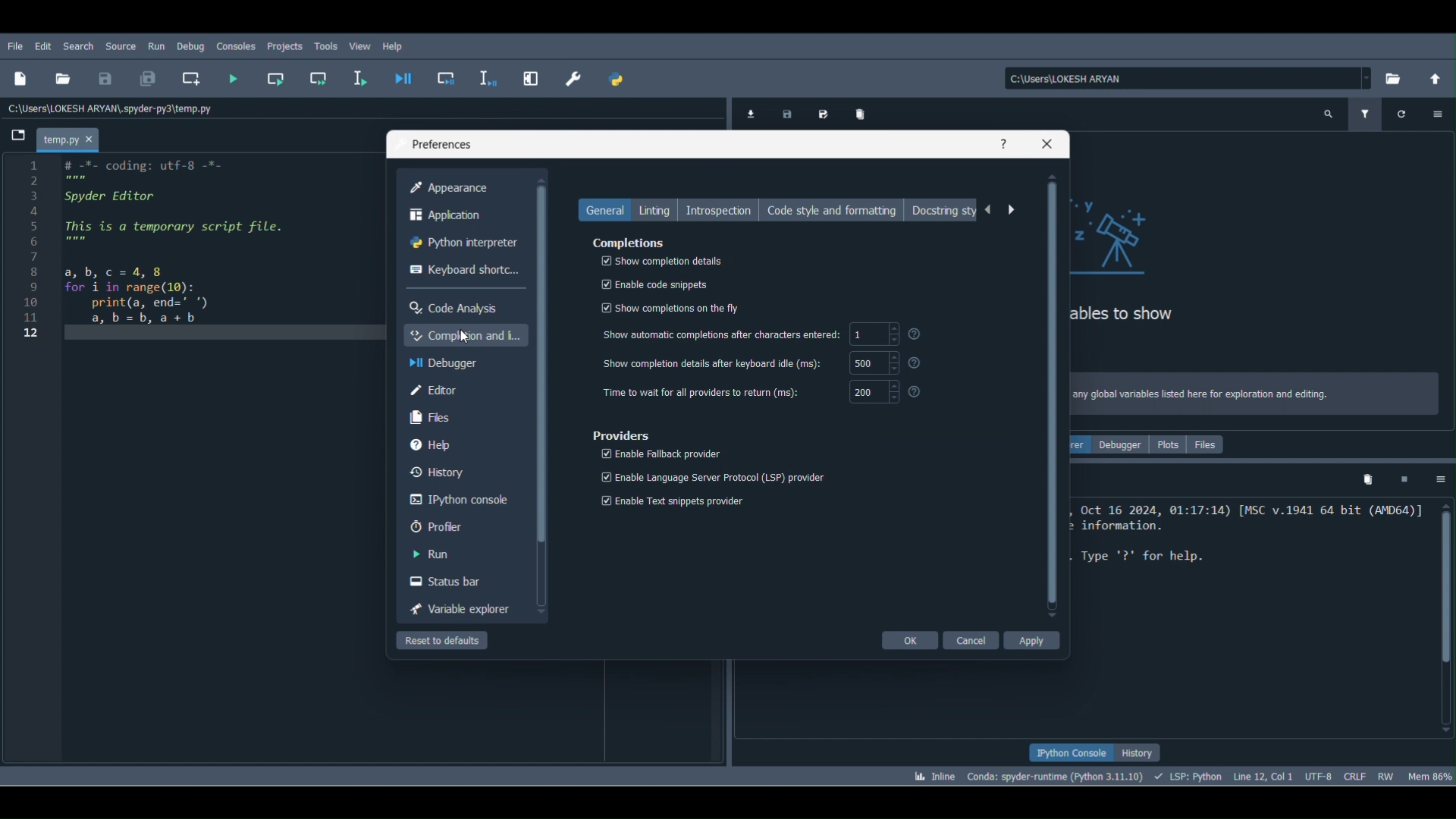 This screenshot has height=819, width=1456. Describe the element at coordinates (711, 478) in the screenshot. I see `Enable Language server Protocol(LSP) provider` at that location.